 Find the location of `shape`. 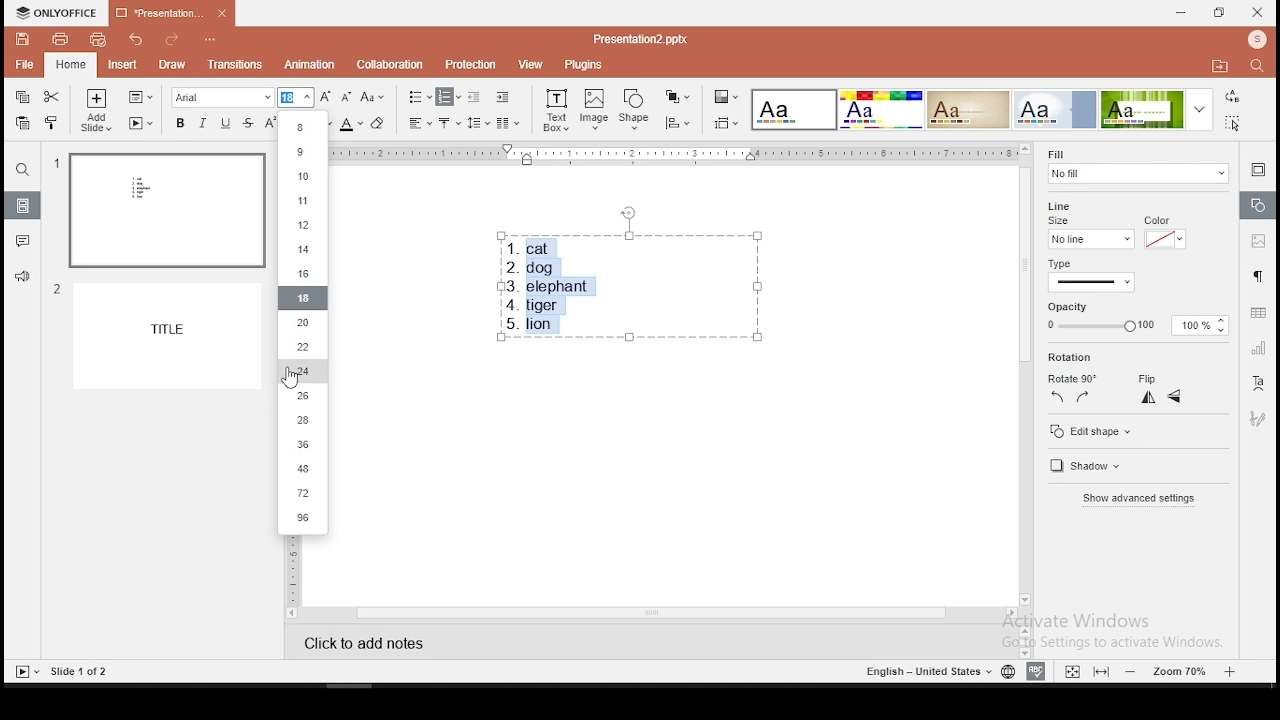

shape is located at coordinates (635, 110).